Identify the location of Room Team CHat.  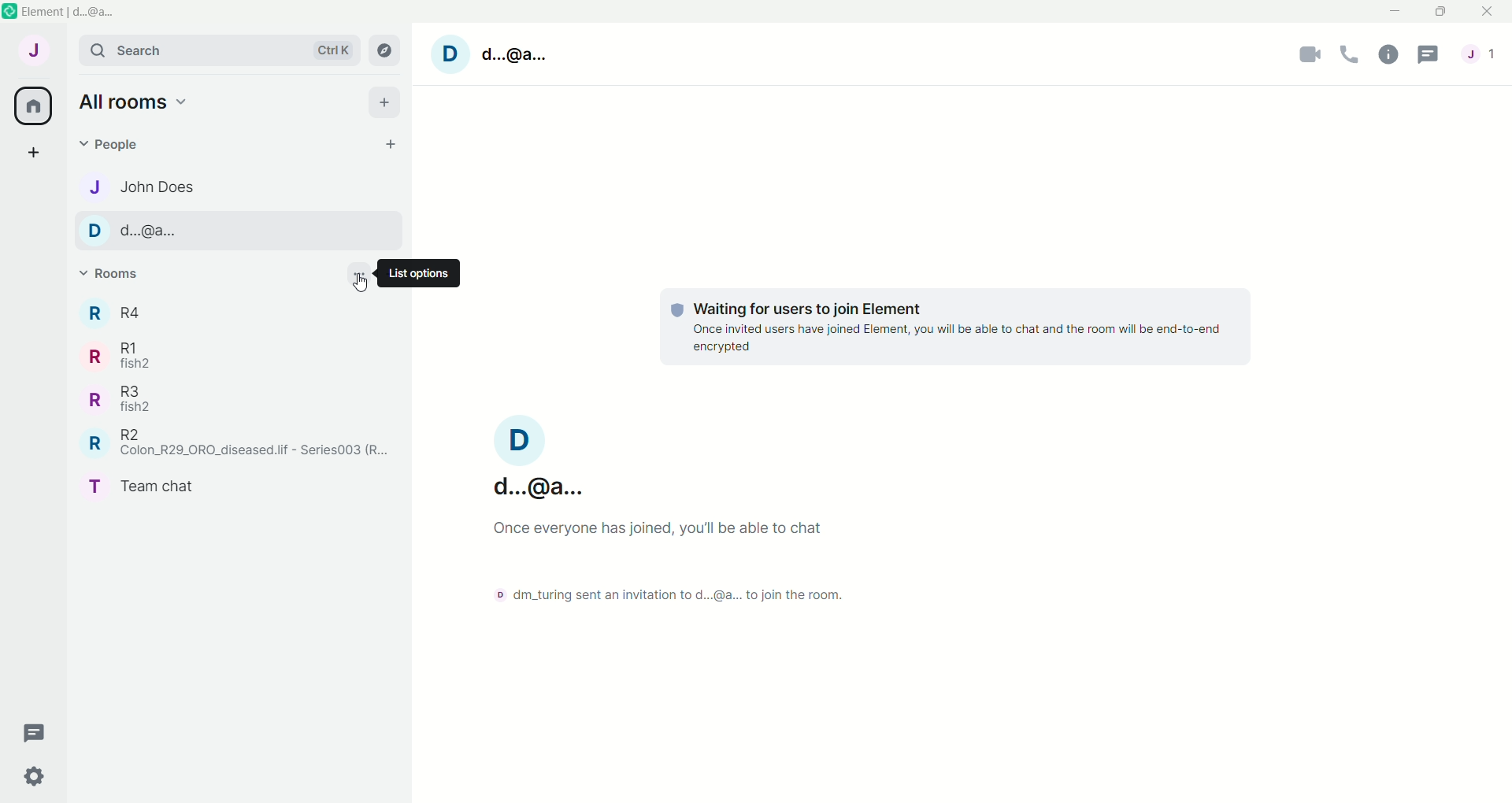
(153, 487).